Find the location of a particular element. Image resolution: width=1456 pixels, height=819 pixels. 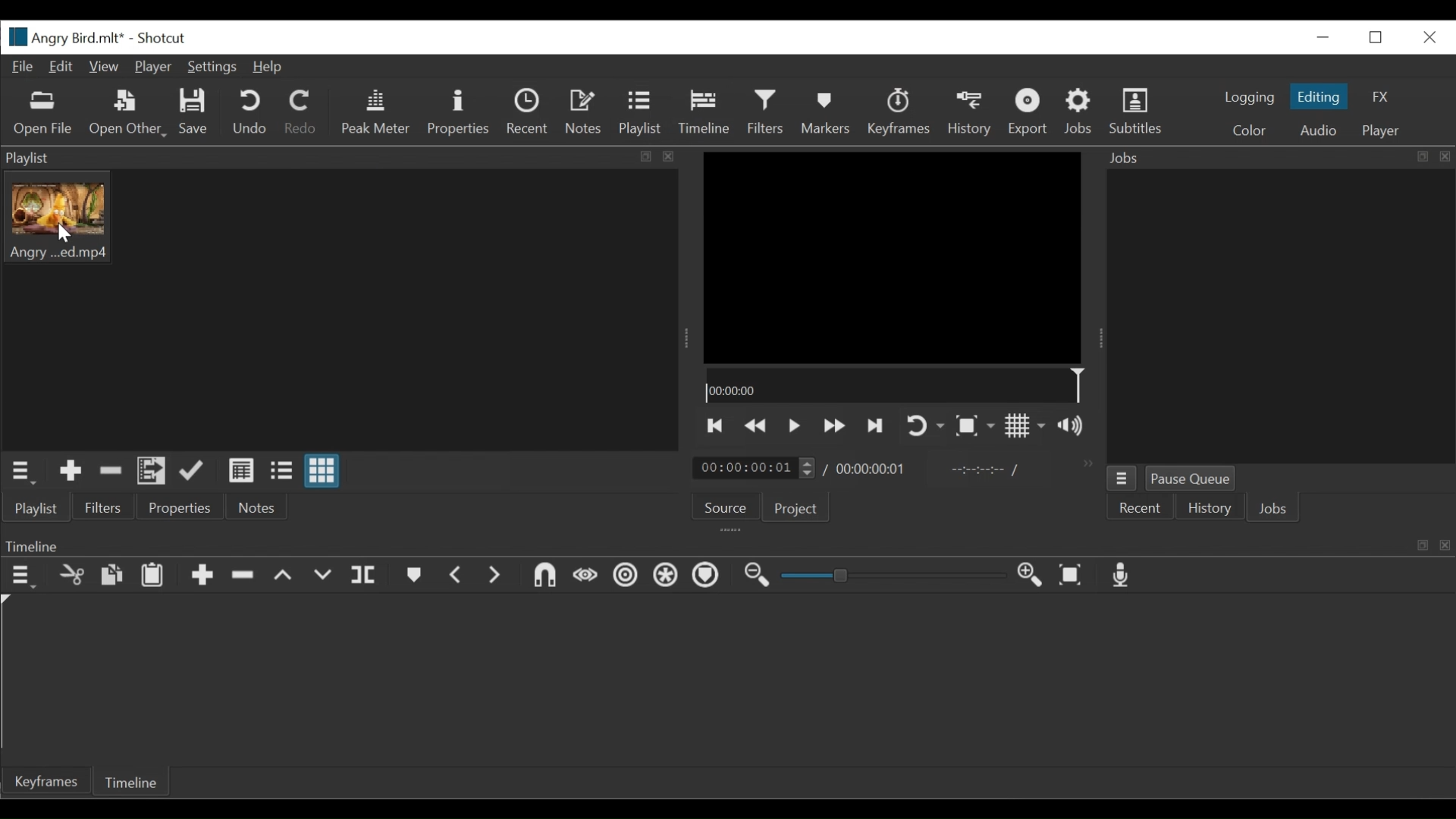

Current duration is located at coordinates (755, 469).